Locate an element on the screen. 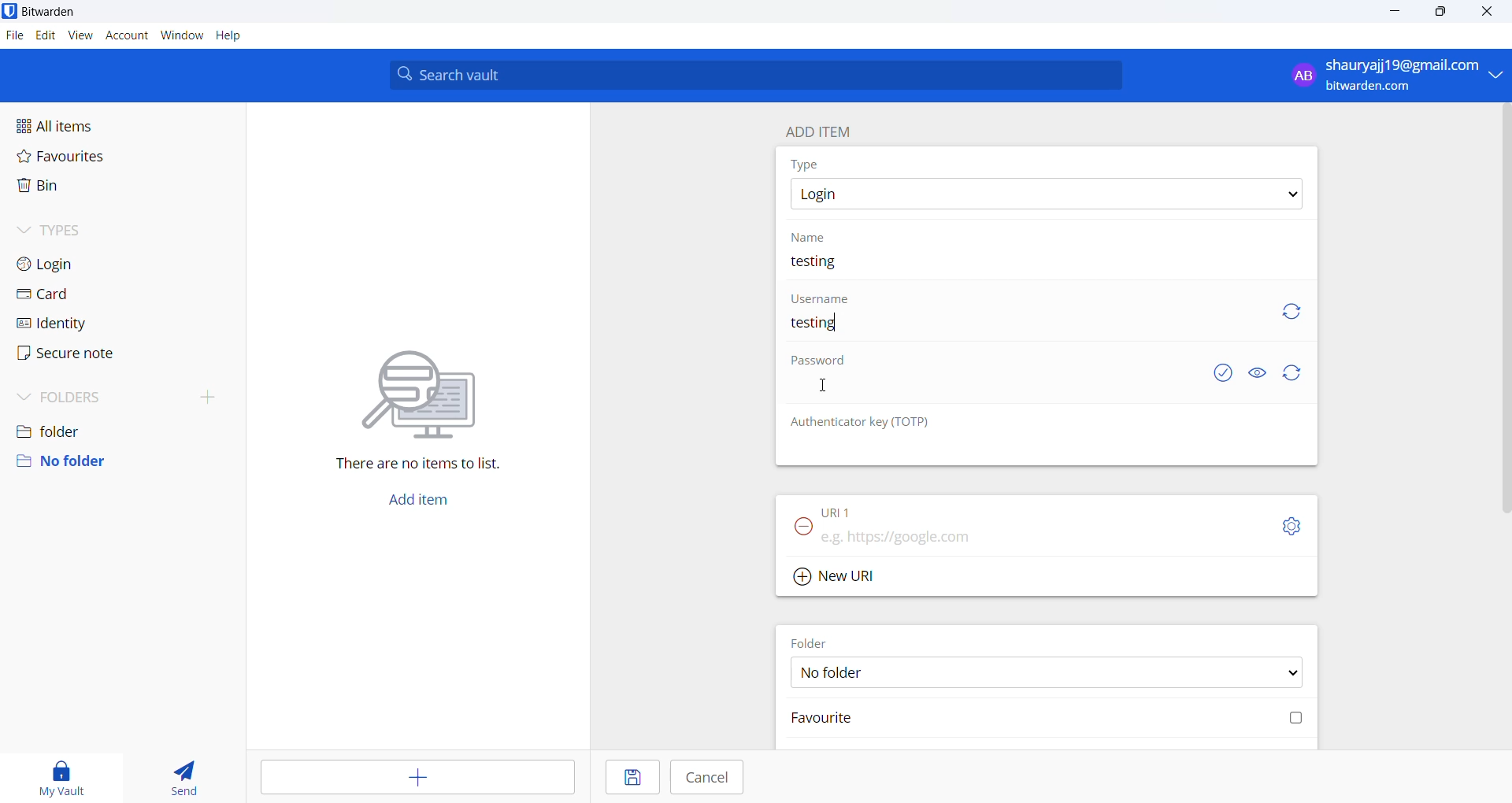  search bar is located at coordinates (755, 74).